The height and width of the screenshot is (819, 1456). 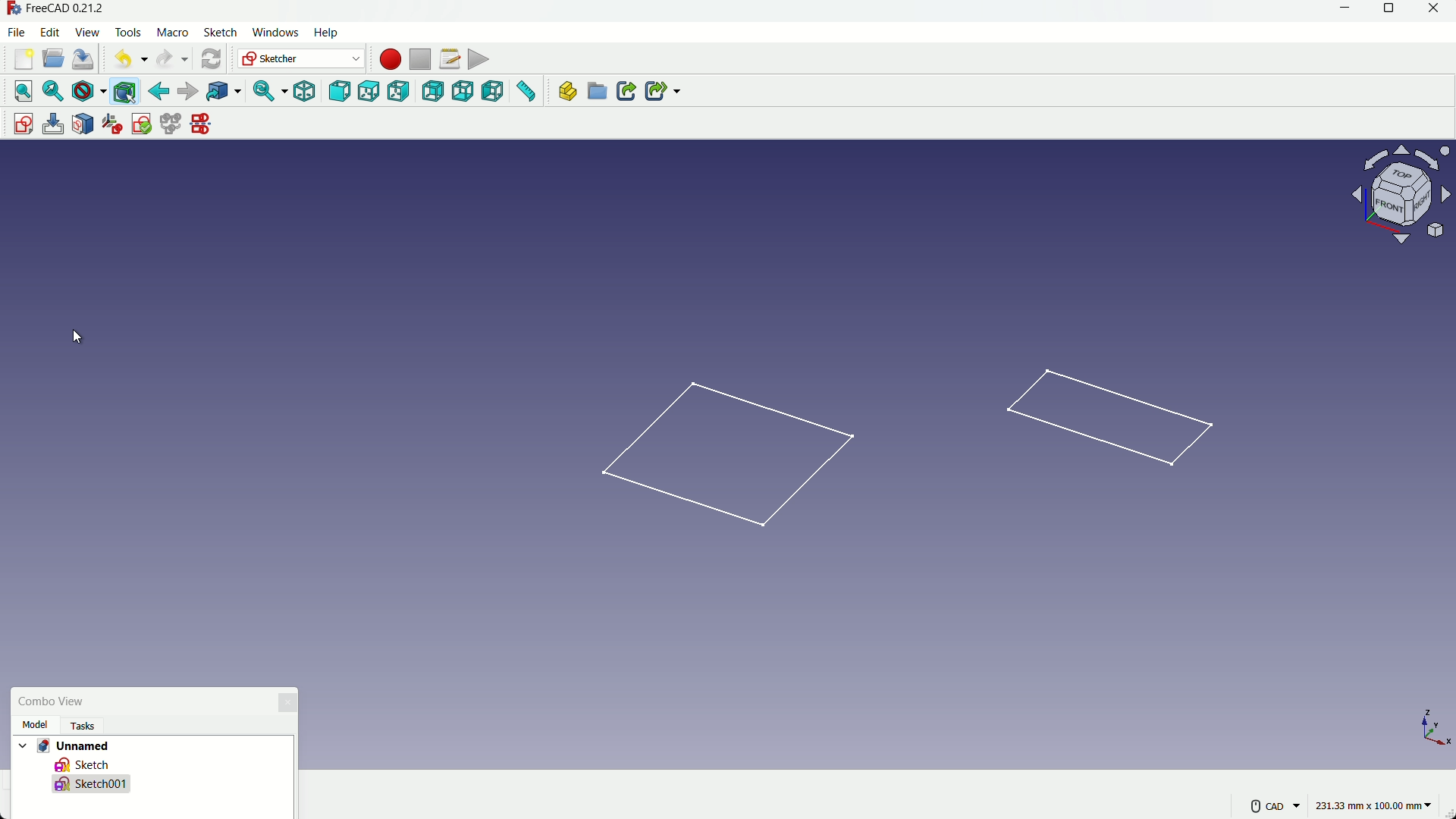 What do you see at coordinates (74, 334) in the screenshot?
I see `cursor` at bounding box center [74, 334].